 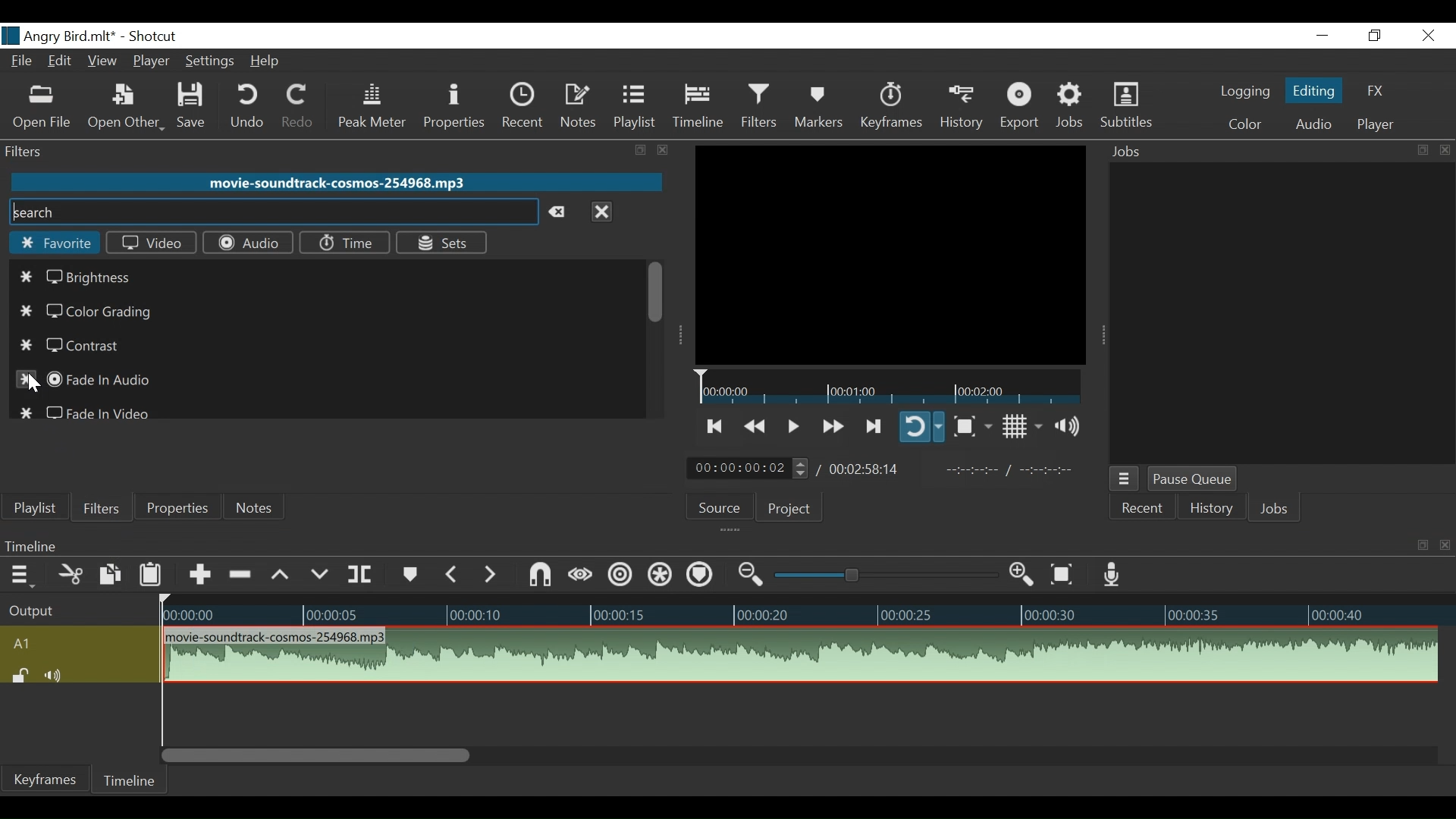 What do you see at coordinates (208, 61) in the screenshot?
I see `Settings` at bounding box center [208, 61].